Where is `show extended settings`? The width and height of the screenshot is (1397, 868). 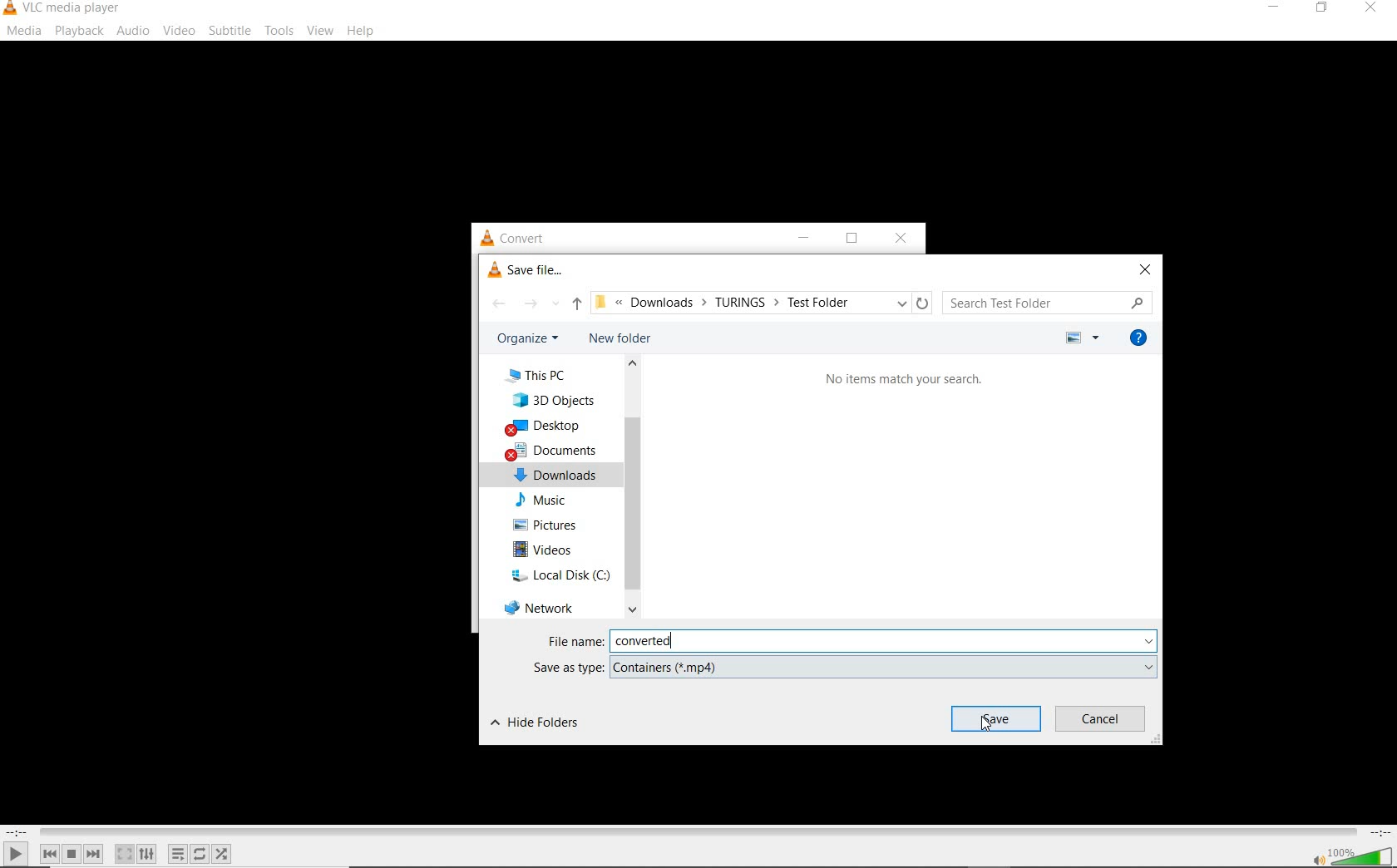
show extended settings is located at coordinates (146, 854).